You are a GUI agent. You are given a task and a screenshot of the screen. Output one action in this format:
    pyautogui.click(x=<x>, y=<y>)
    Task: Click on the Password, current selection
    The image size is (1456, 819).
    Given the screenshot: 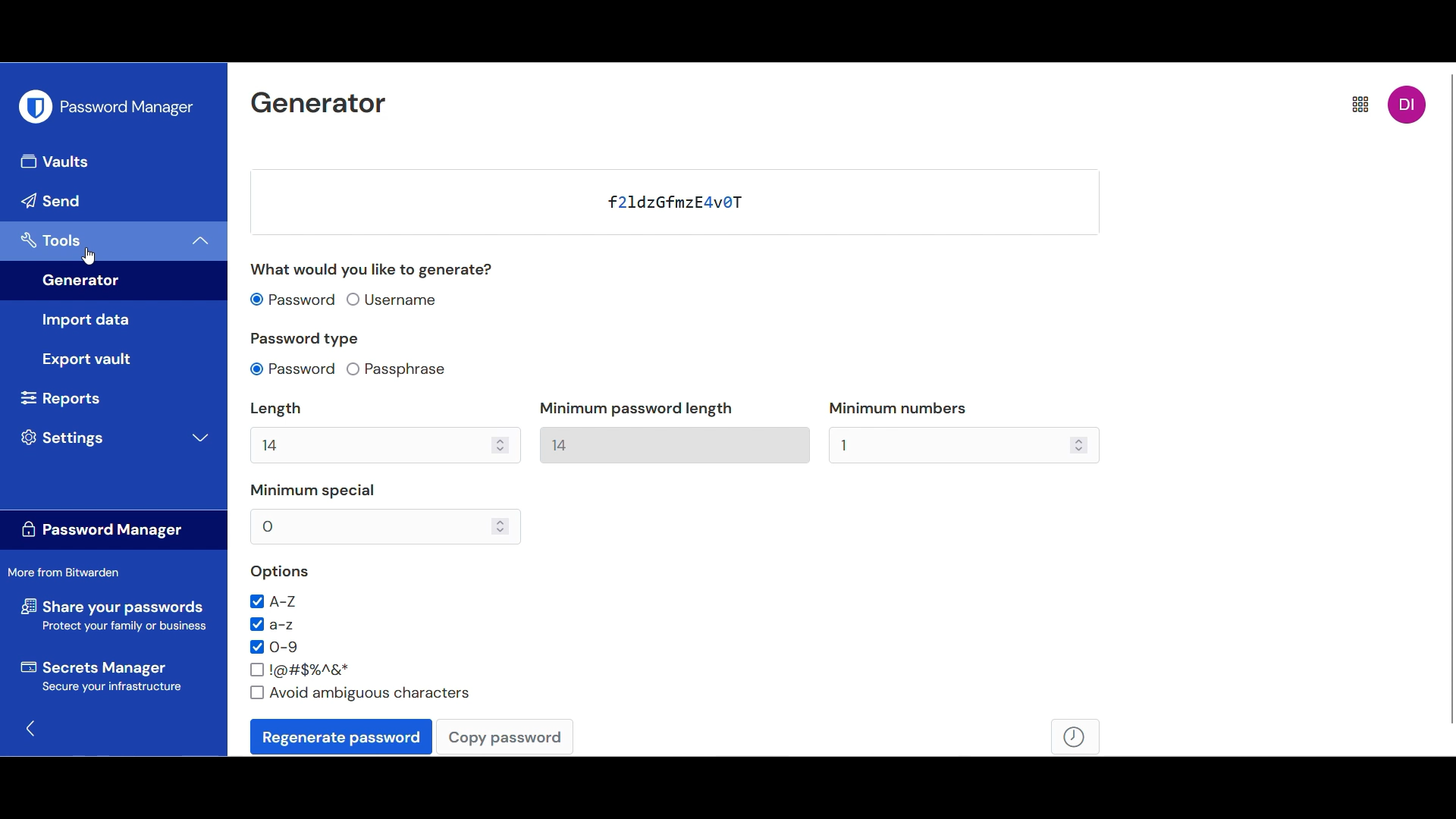 What is the action you would take?
    pyautogui.click(x=293, y=300)
    